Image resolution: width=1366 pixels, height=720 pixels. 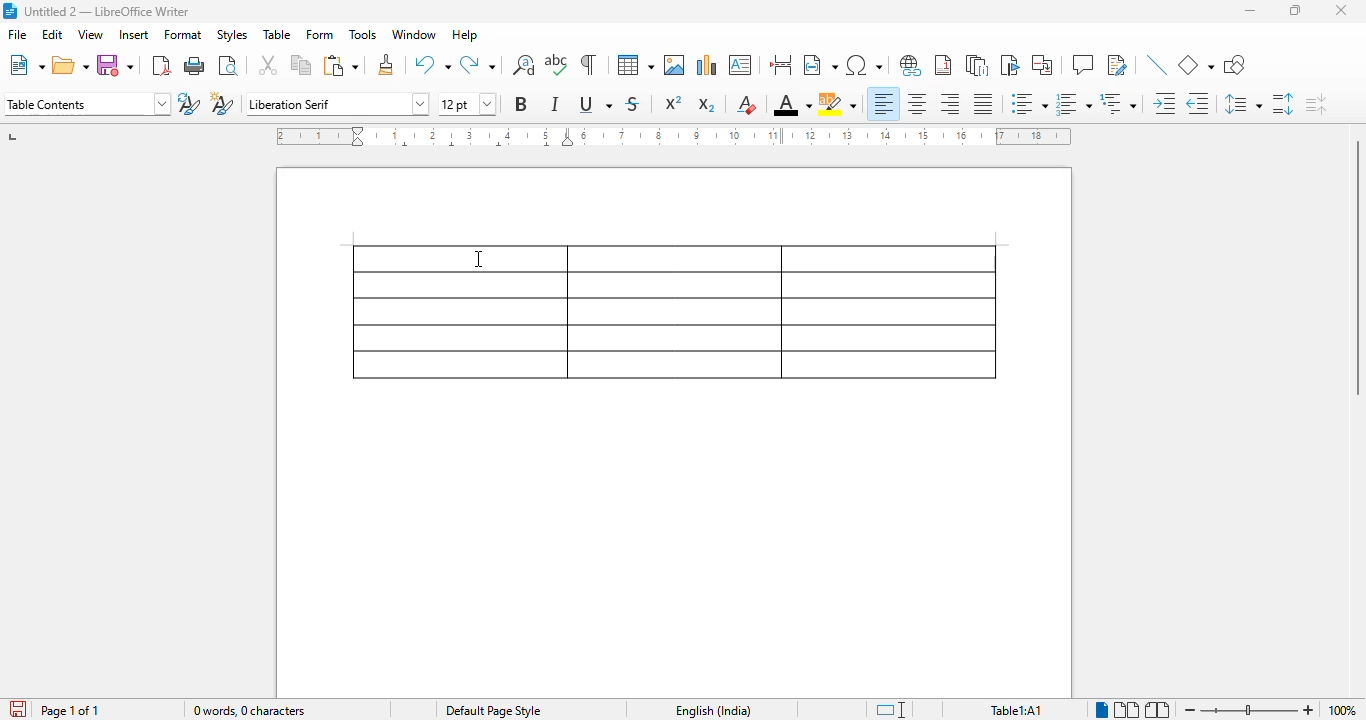 What do you see at coordinates (1029, 103) in the screenshot?
I see `toggle unordered list` at bounding box center [1029, 103].